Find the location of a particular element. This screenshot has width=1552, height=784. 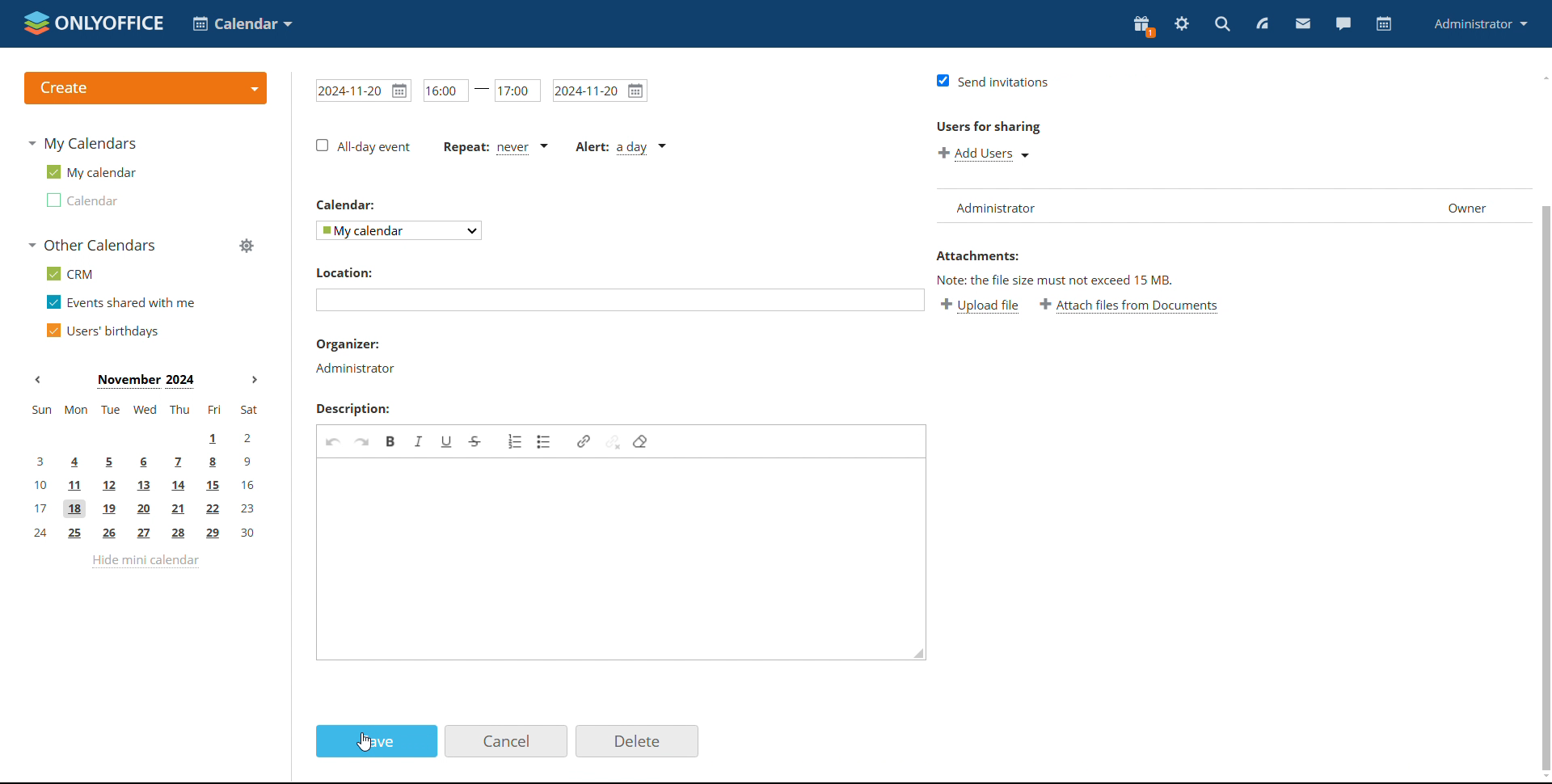

my calendars is located at coordinates (82, 143).